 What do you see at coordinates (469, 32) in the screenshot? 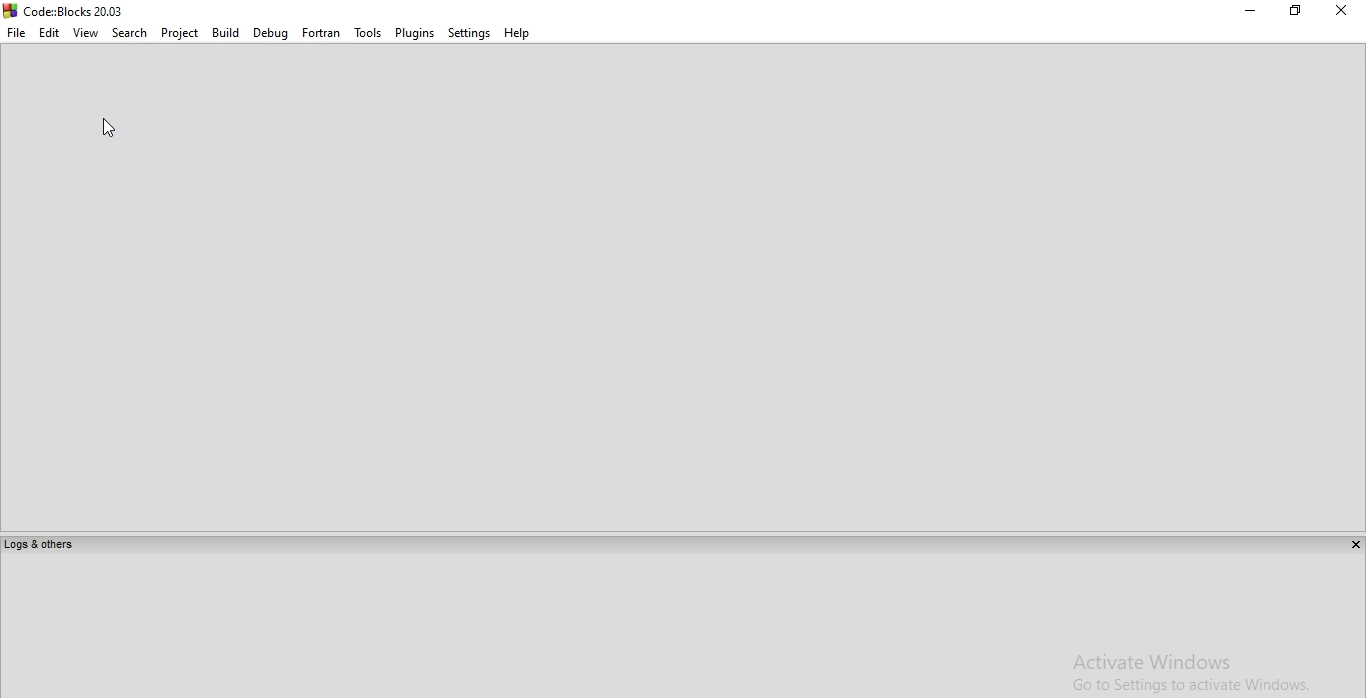
I see `Settings ` at bounding box center [469, 32].